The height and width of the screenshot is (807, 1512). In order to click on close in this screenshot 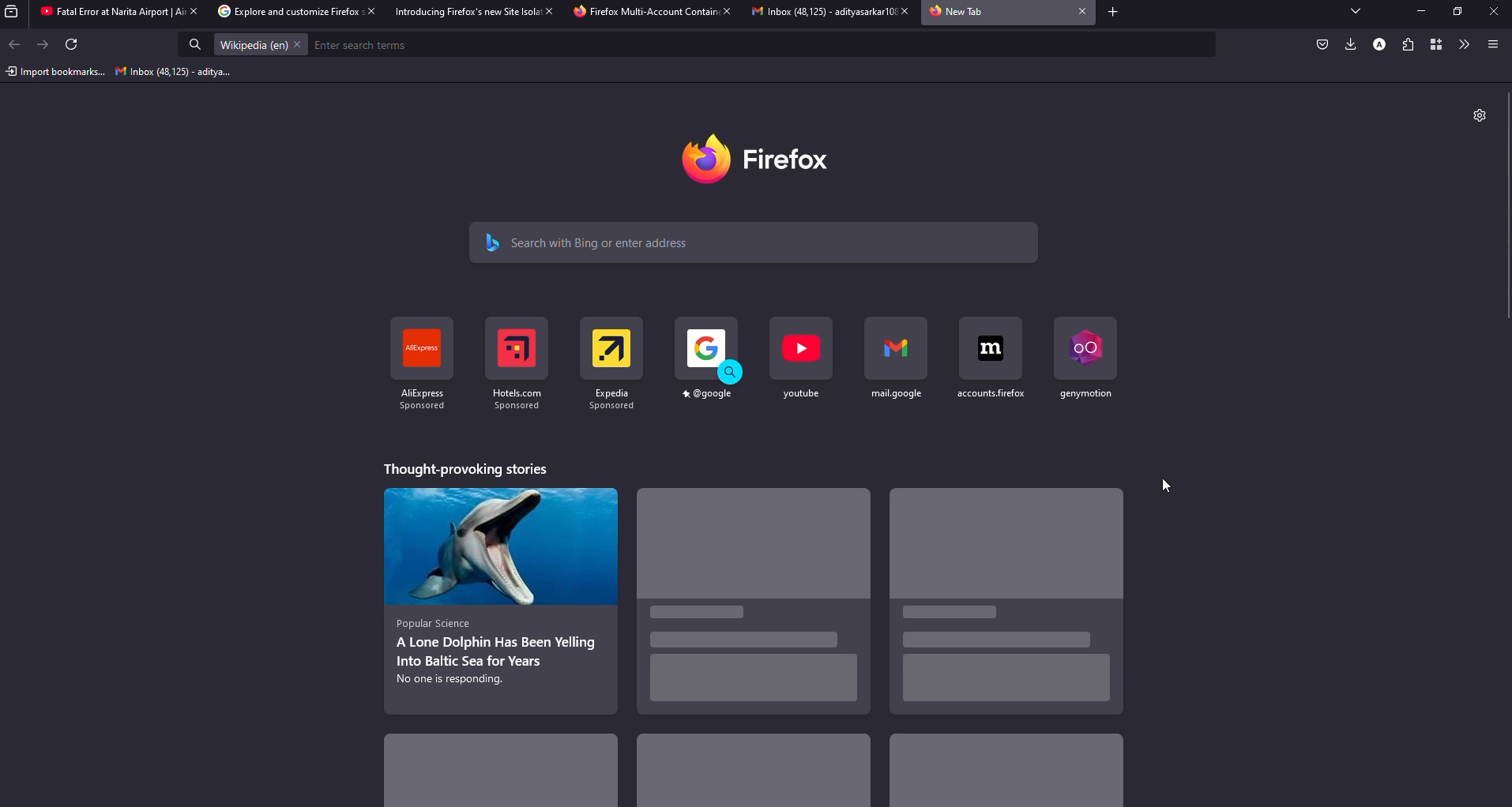, I will do `click(191, 11)`.